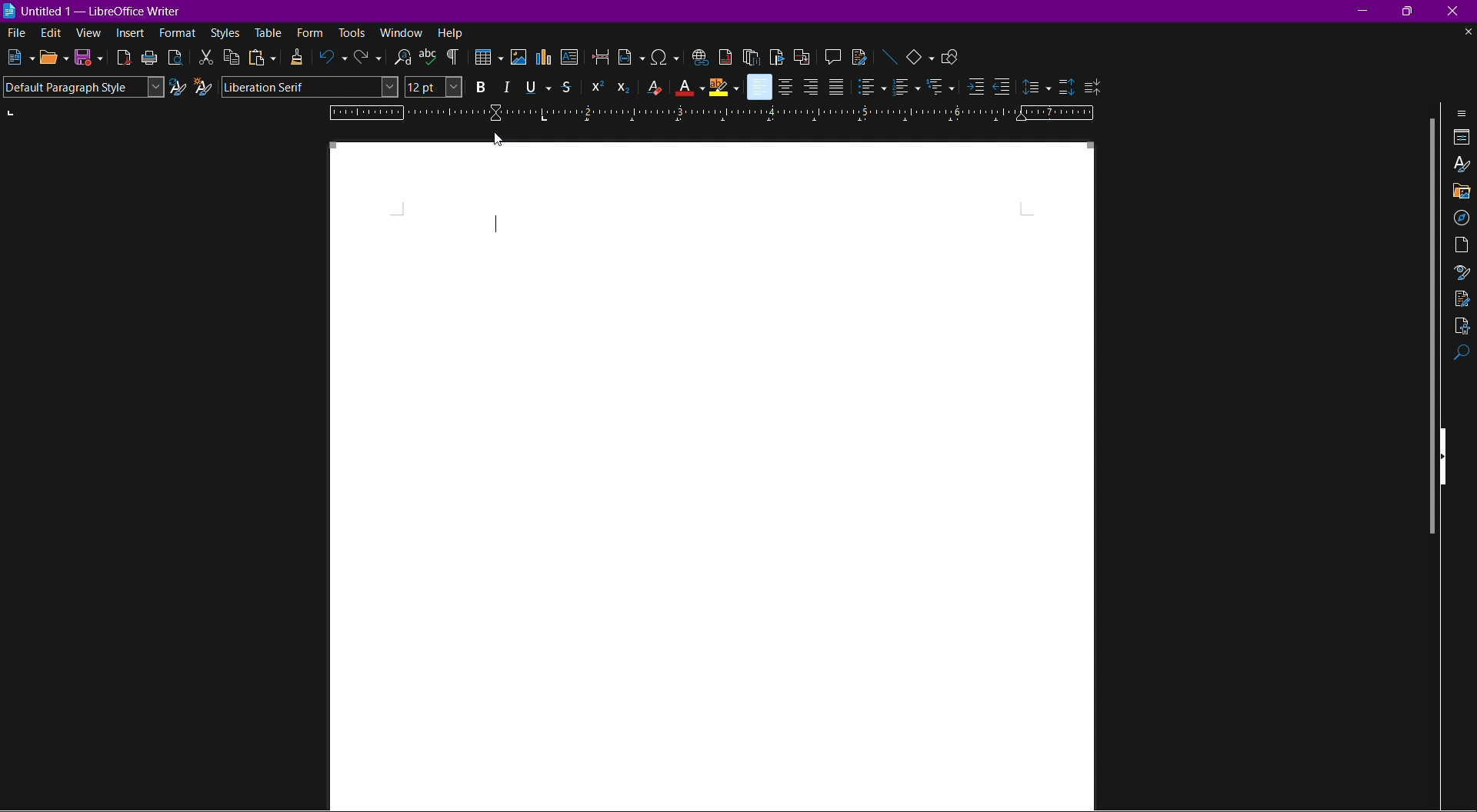  What do you see at coordinates (1412, 12) in the screenshot?
I see `Maximize` at bounding box center [1412, 12].